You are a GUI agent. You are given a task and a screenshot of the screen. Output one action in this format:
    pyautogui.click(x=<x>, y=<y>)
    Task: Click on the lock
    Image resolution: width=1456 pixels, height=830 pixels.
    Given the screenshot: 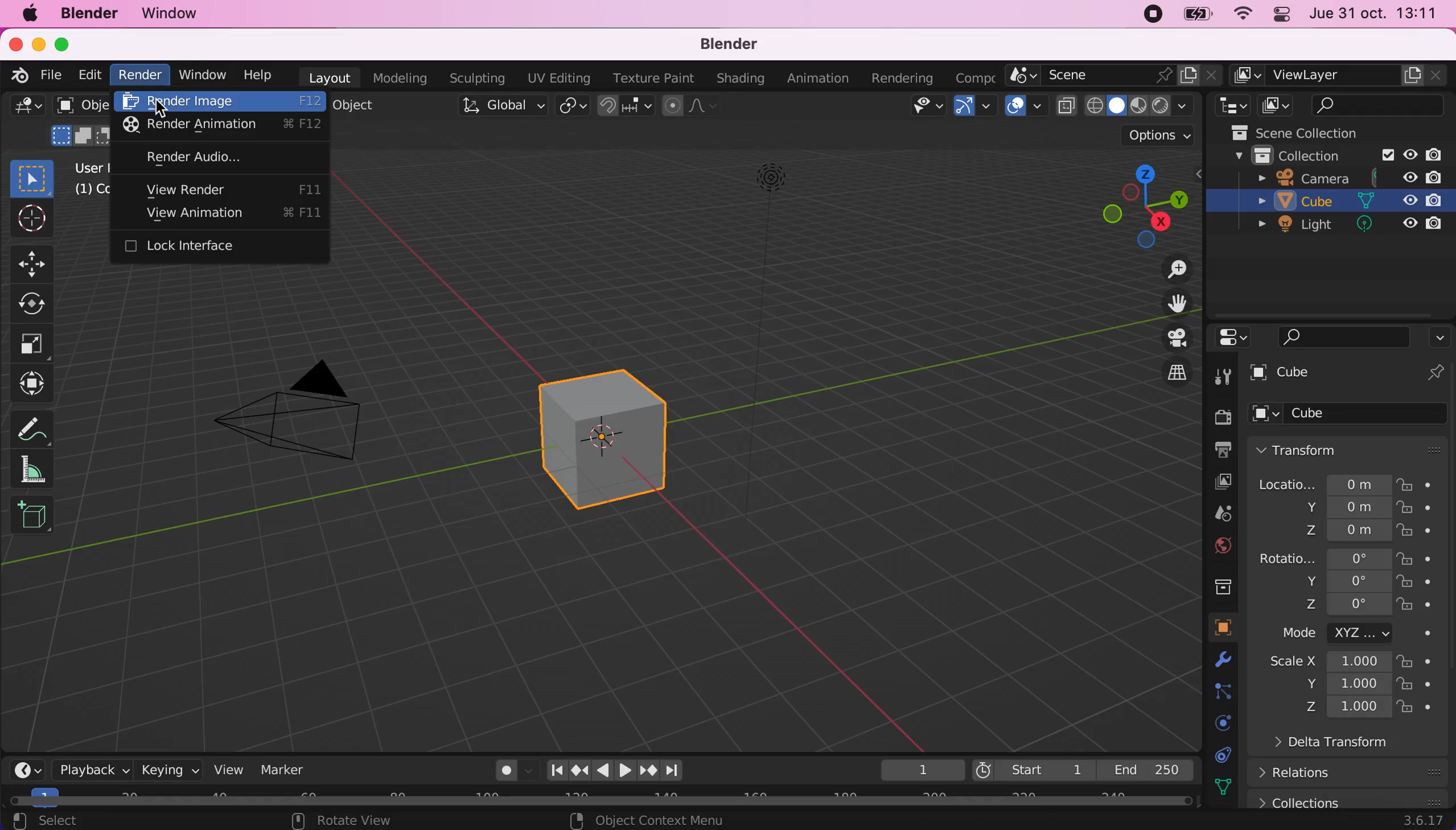 What is the action you would take?
    pyautogui.click(x=1417, y=607)
    